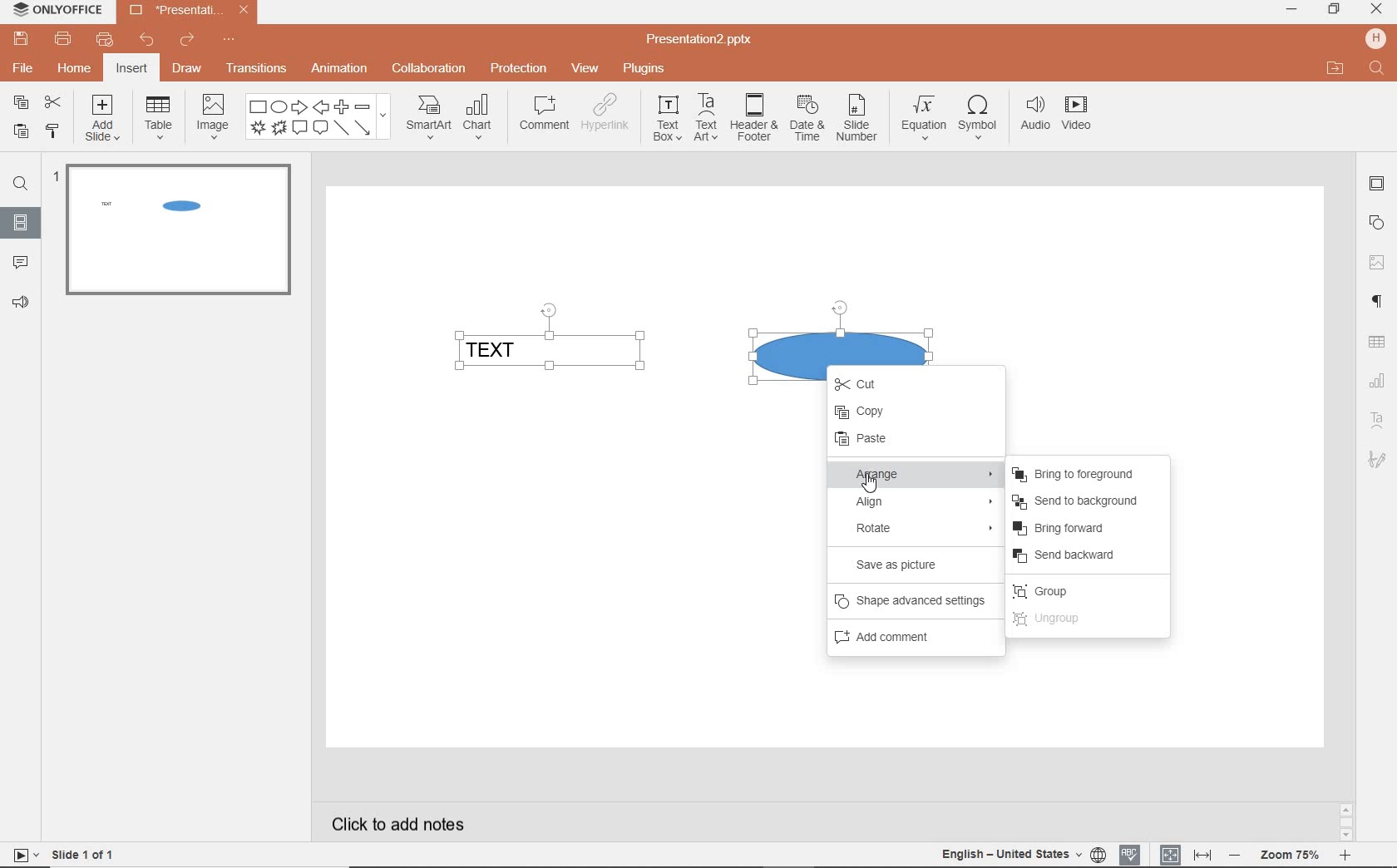 The image size is (1397, 868). What do you see at coordinates (805, 122) in the screenshot?
I see `date & time` at bounding box center [805, 122].